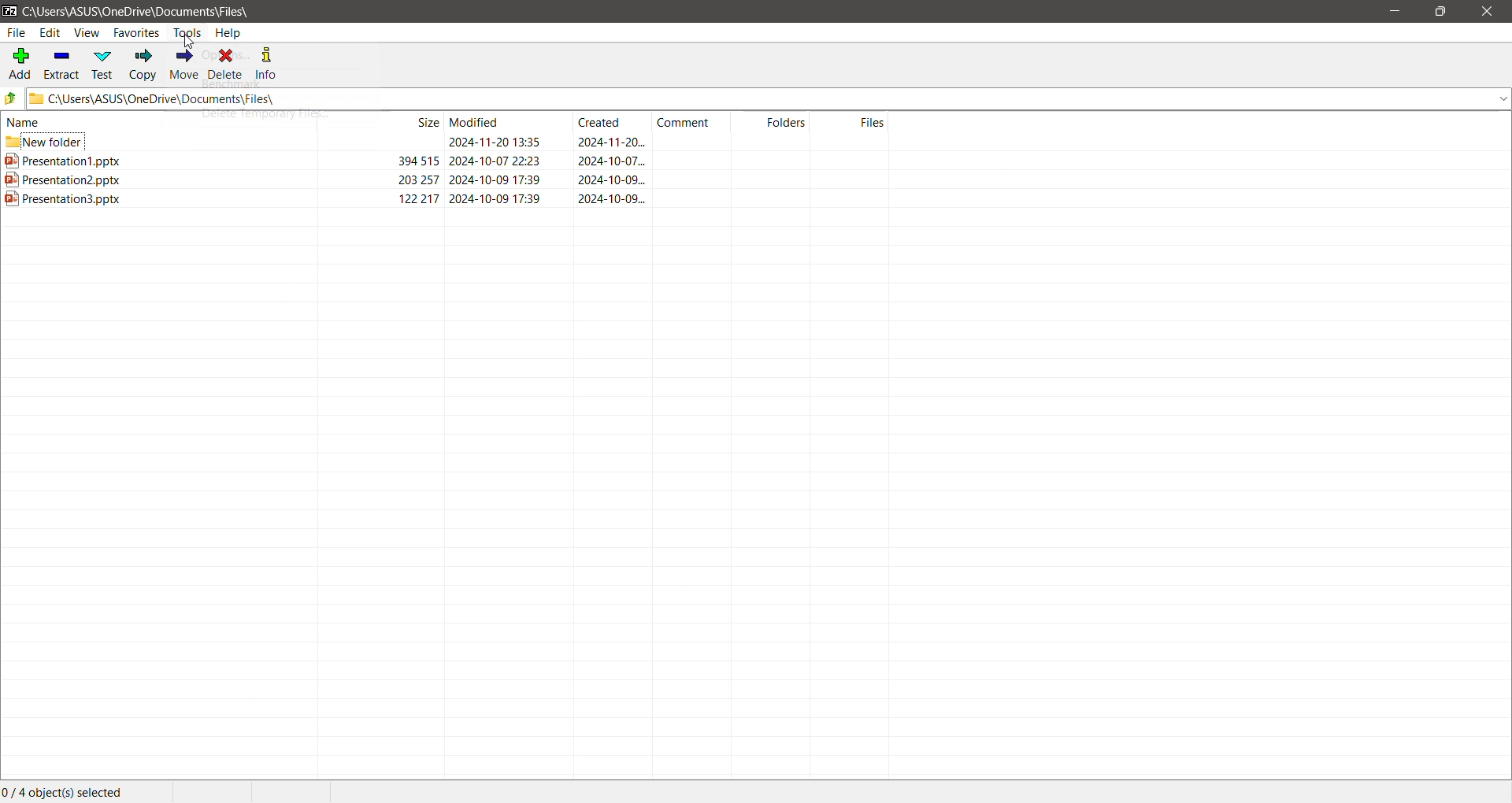 This screenshot has width=1512, height=803. Describe the element at coordinates (50, 34) in the screenshot. I see `Edit` at that location.